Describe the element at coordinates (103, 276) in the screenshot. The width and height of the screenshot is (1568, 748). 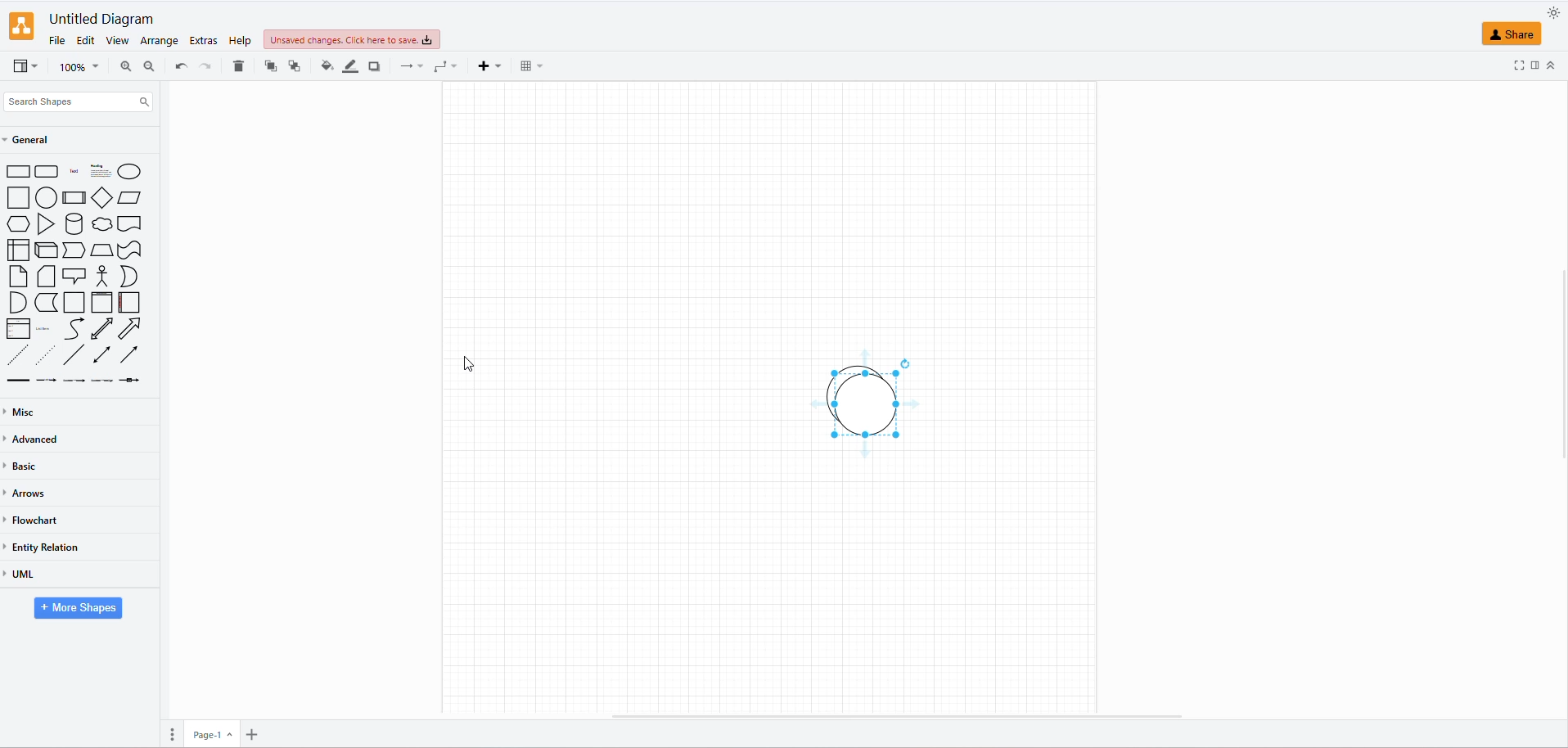
I see `ACTOR` at that location.